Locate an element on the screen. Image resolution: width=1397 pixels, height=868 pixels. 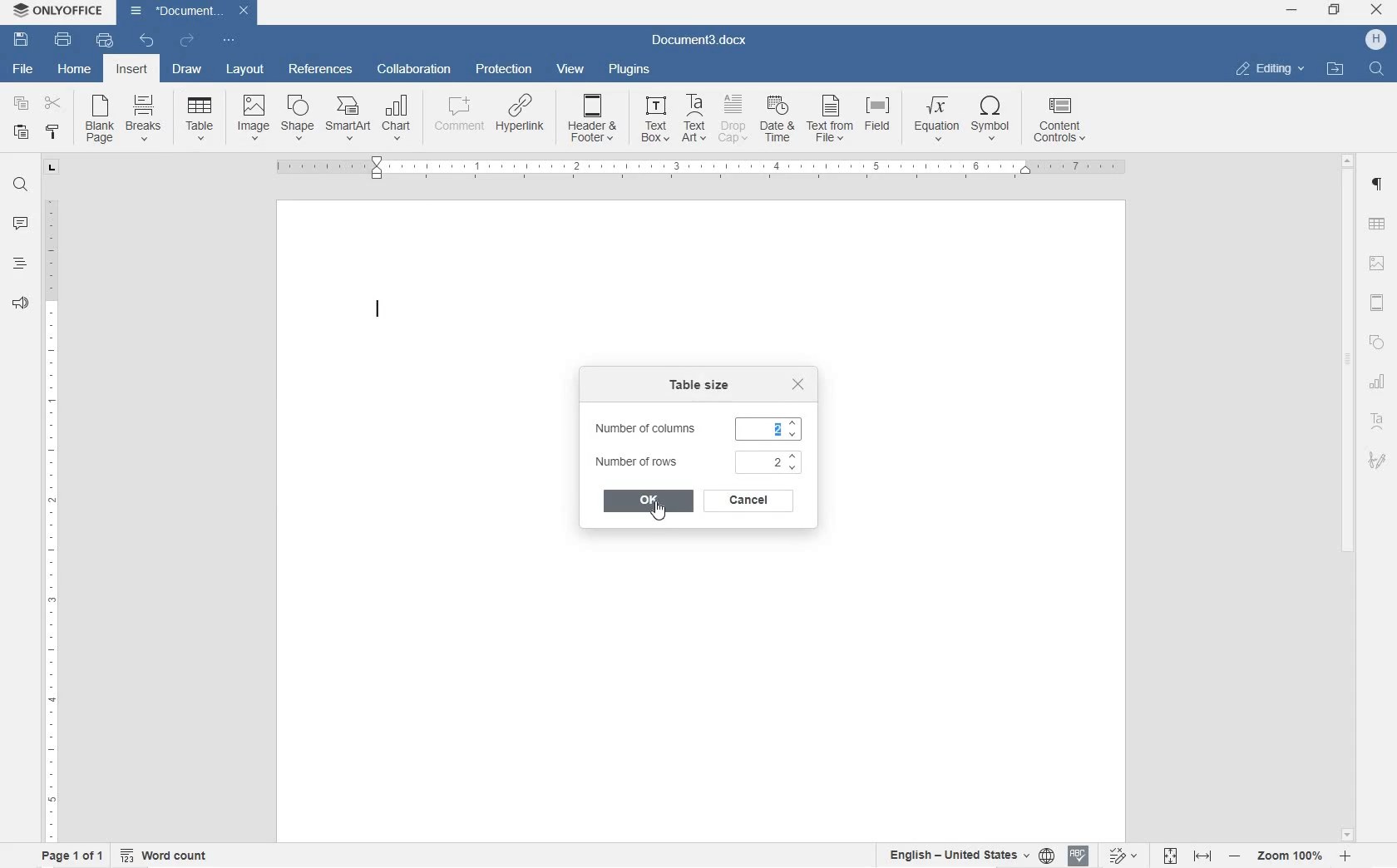
FEEDBACK & SUPPORT is located at coordinates (17, 303).